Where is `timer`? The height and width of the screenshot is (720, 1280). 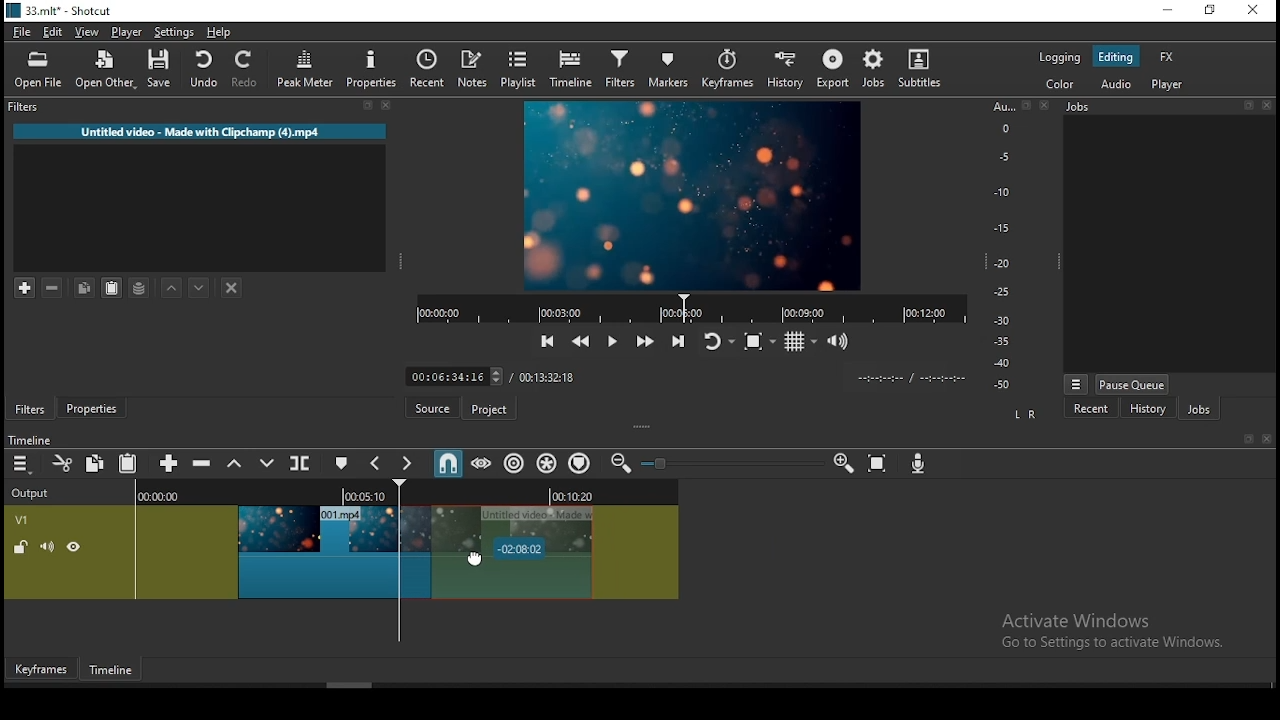
timer is located at coordinates (686, 308).